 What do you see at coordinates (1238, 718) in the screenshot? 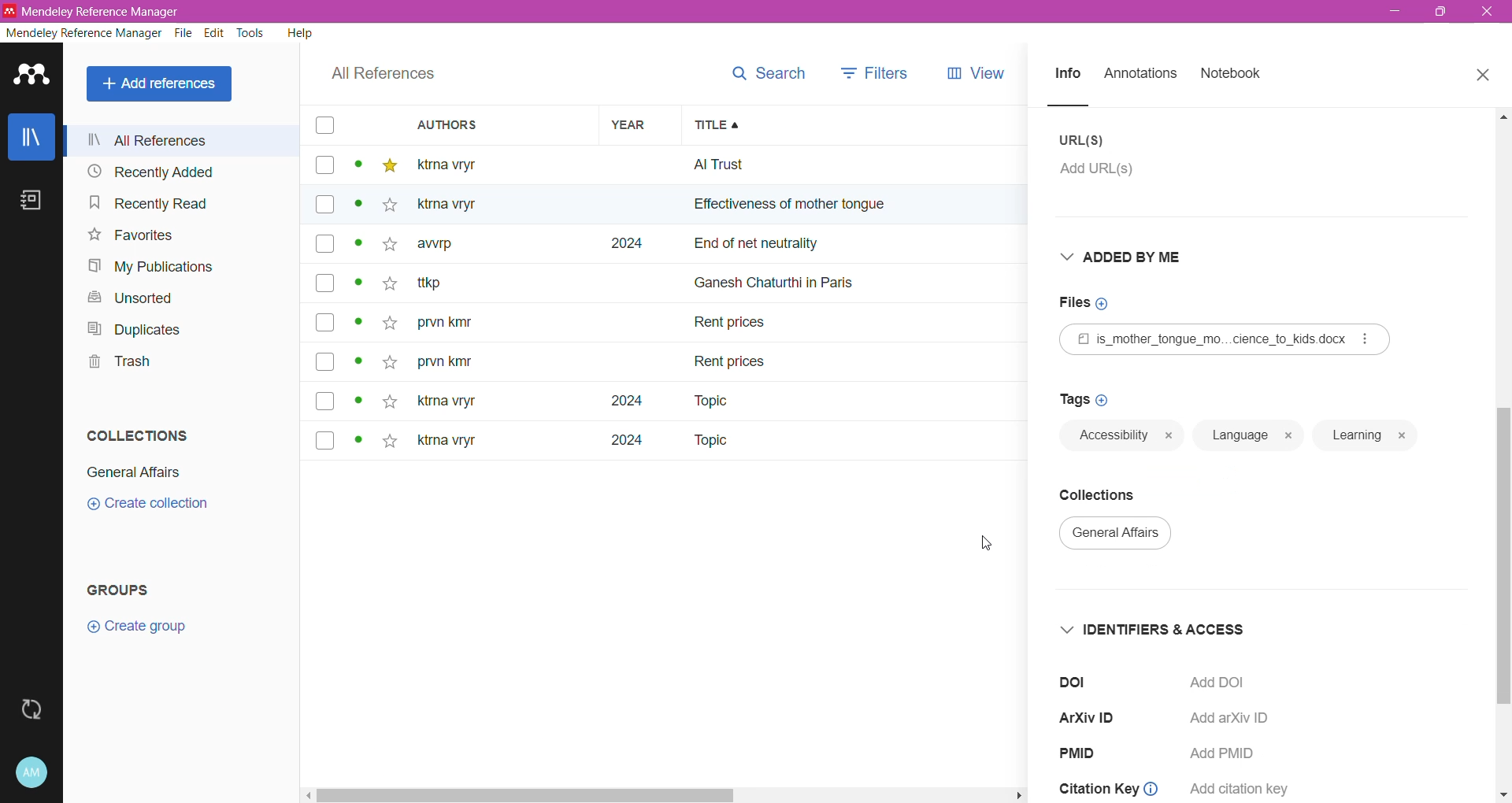
I see `Add arXiv ID` at bounding box center [1238, 718].